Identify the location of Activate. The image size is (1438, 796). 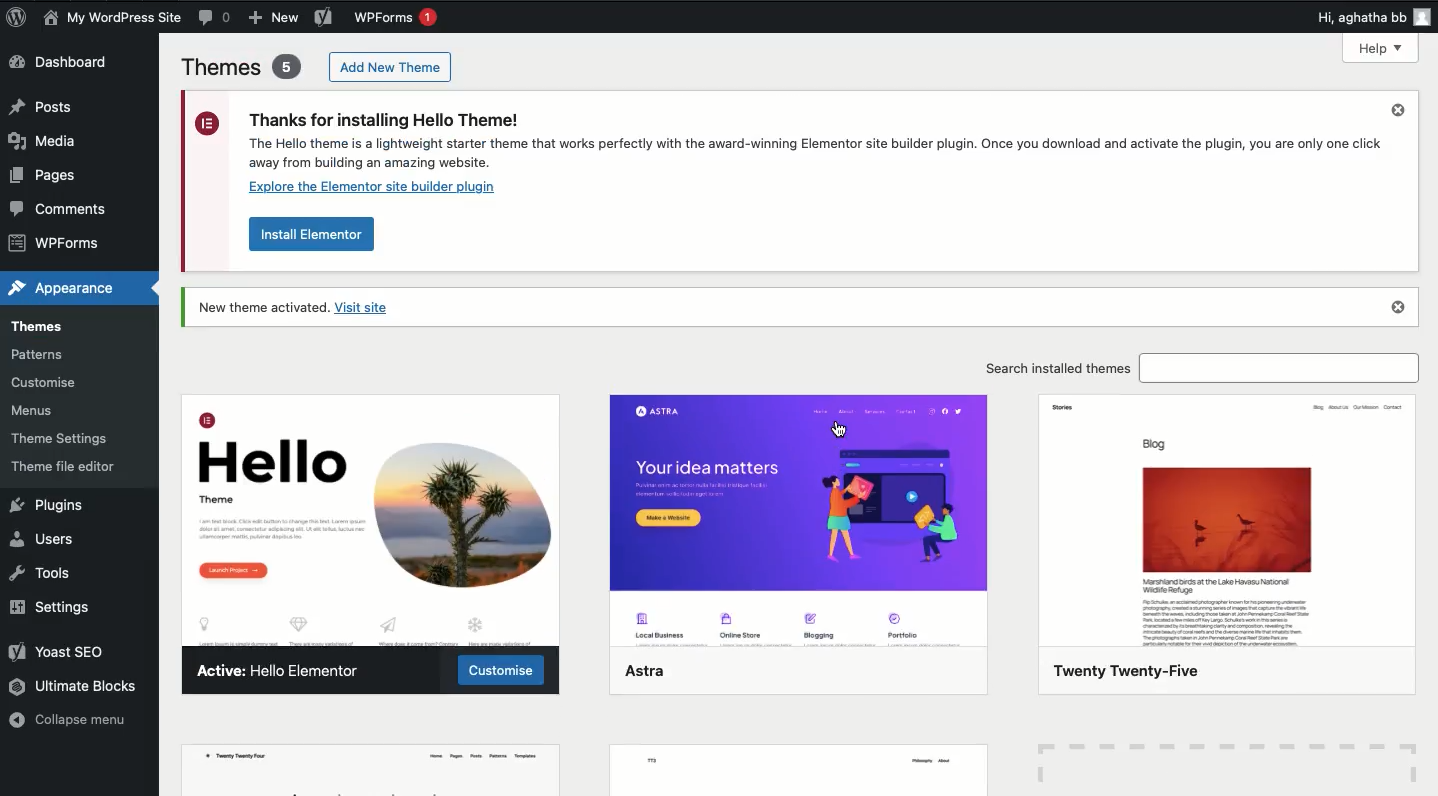
(829, 413).